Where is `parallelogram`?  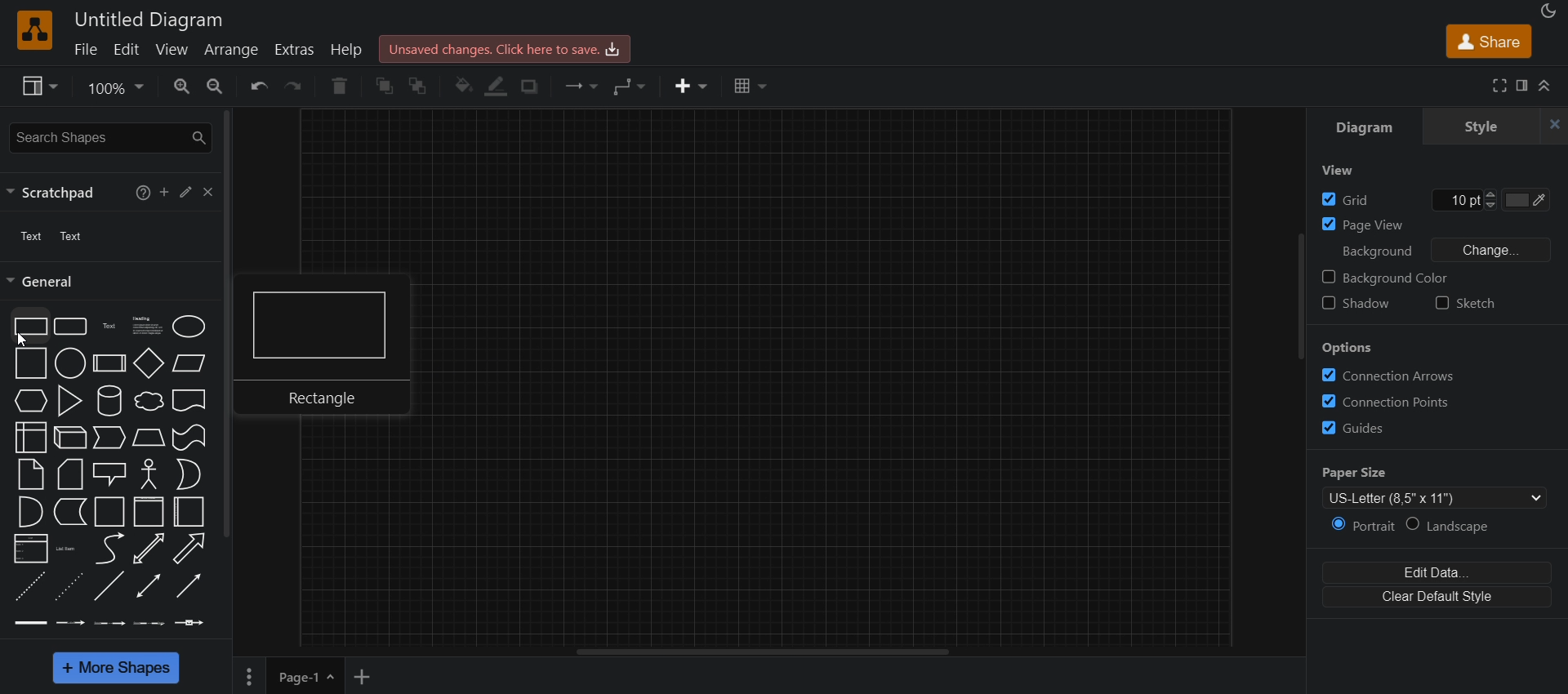
parallelogram is located at coordinates (192, 365).